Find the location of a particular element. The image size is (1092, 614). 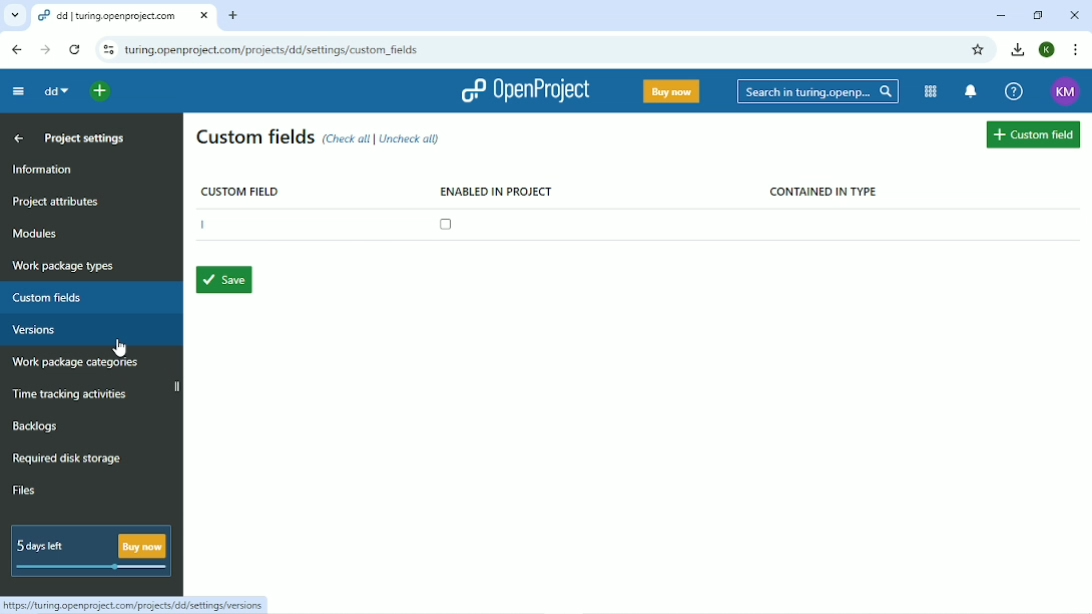

Account is located at coordinates (1048, 49).